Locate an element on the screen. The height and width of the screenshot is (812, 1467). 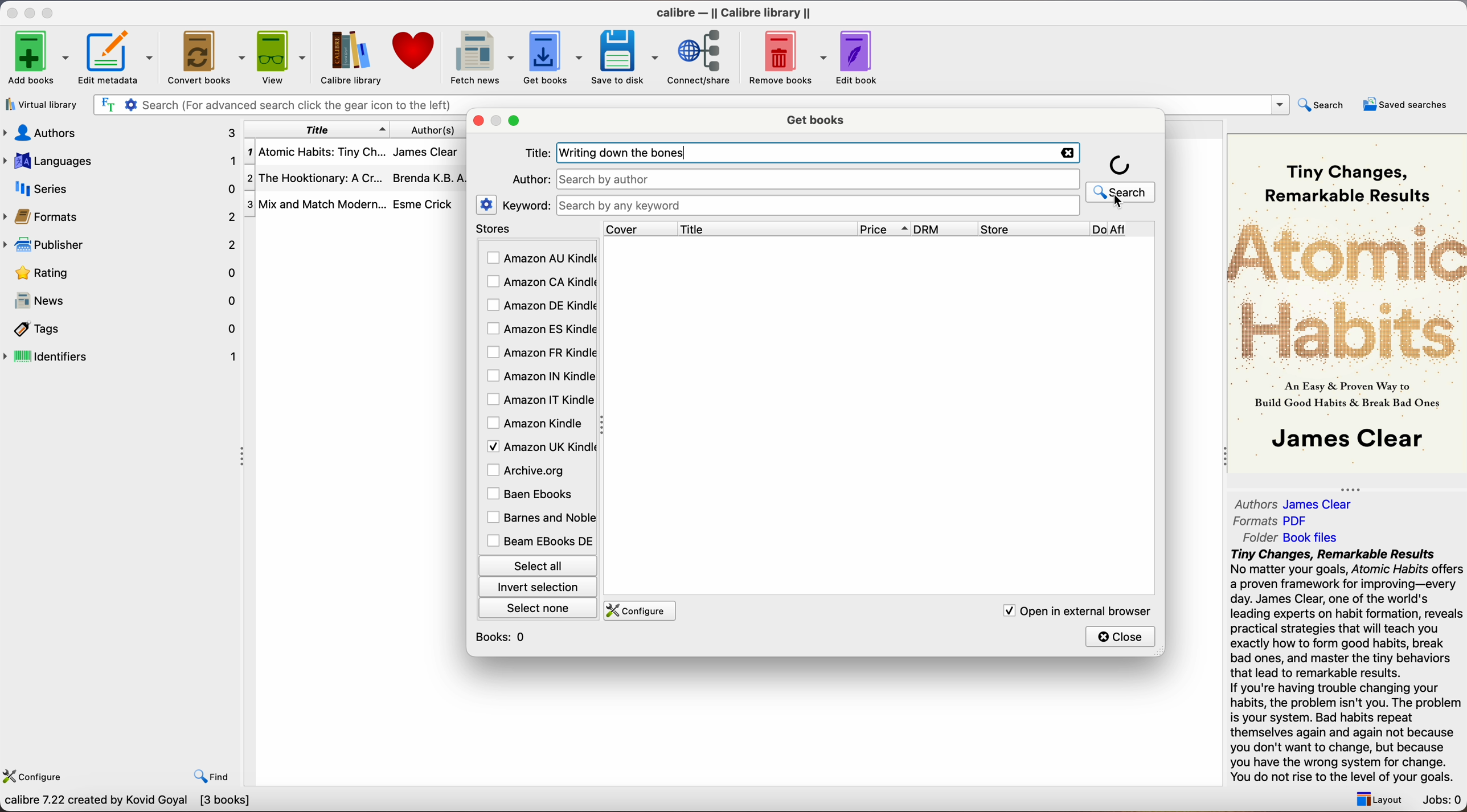
author is located at coordinates (529, 179).